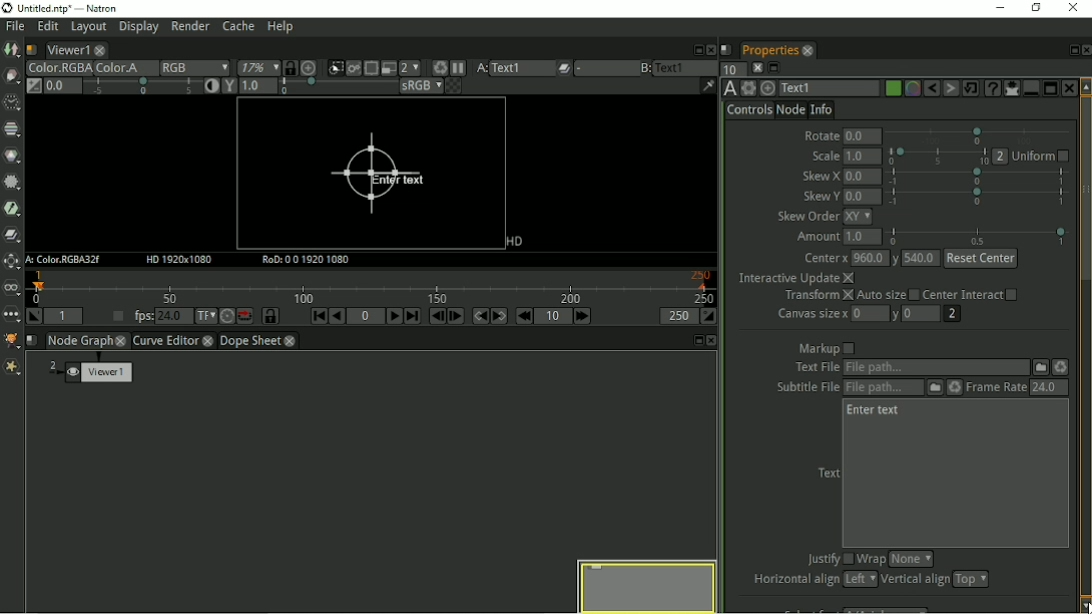 This screenshot has width=1092, height=614. What do you see at coordinates (713, 341) in the screenshot?
I see `Close` at bounding box center [713, 341].